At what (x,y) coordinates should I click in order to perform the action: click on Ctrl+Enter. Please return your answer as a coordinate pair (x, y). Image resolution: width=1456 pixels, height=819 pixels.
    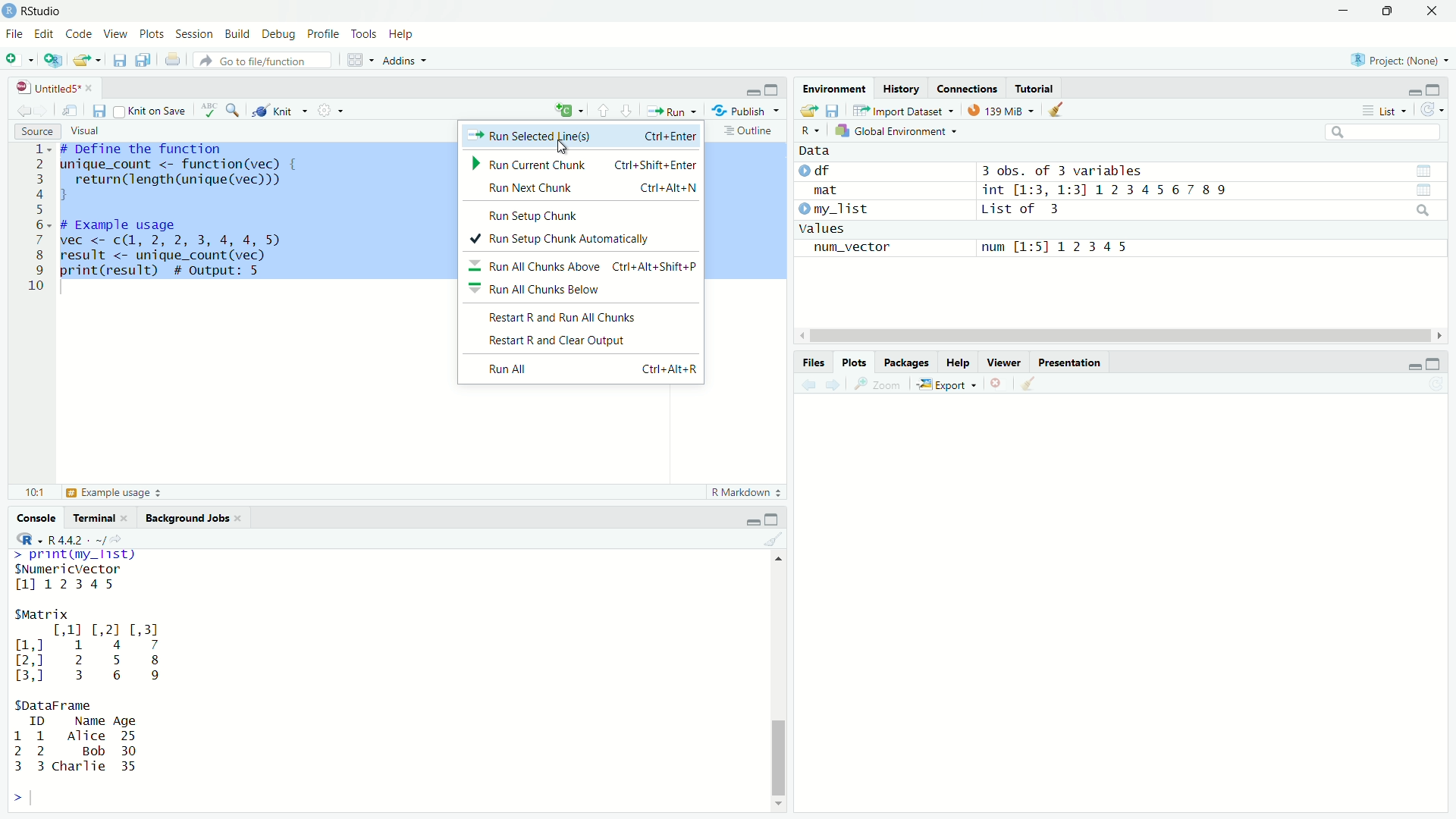
    Looking at the image, I should click on (670, 135).